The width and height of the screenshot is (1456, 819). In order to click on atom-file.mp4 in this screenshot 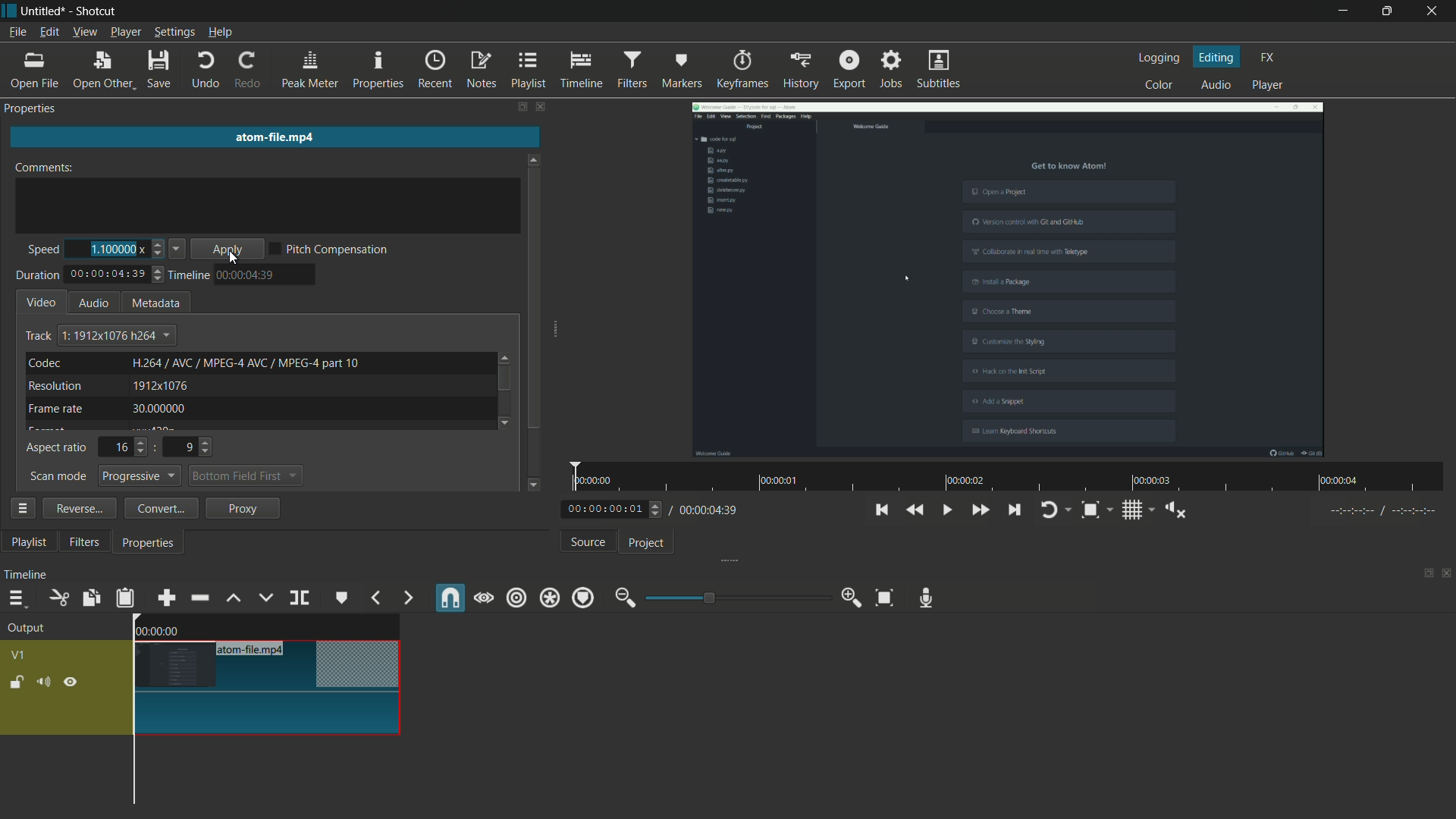, I will do `click(256, 650)`.